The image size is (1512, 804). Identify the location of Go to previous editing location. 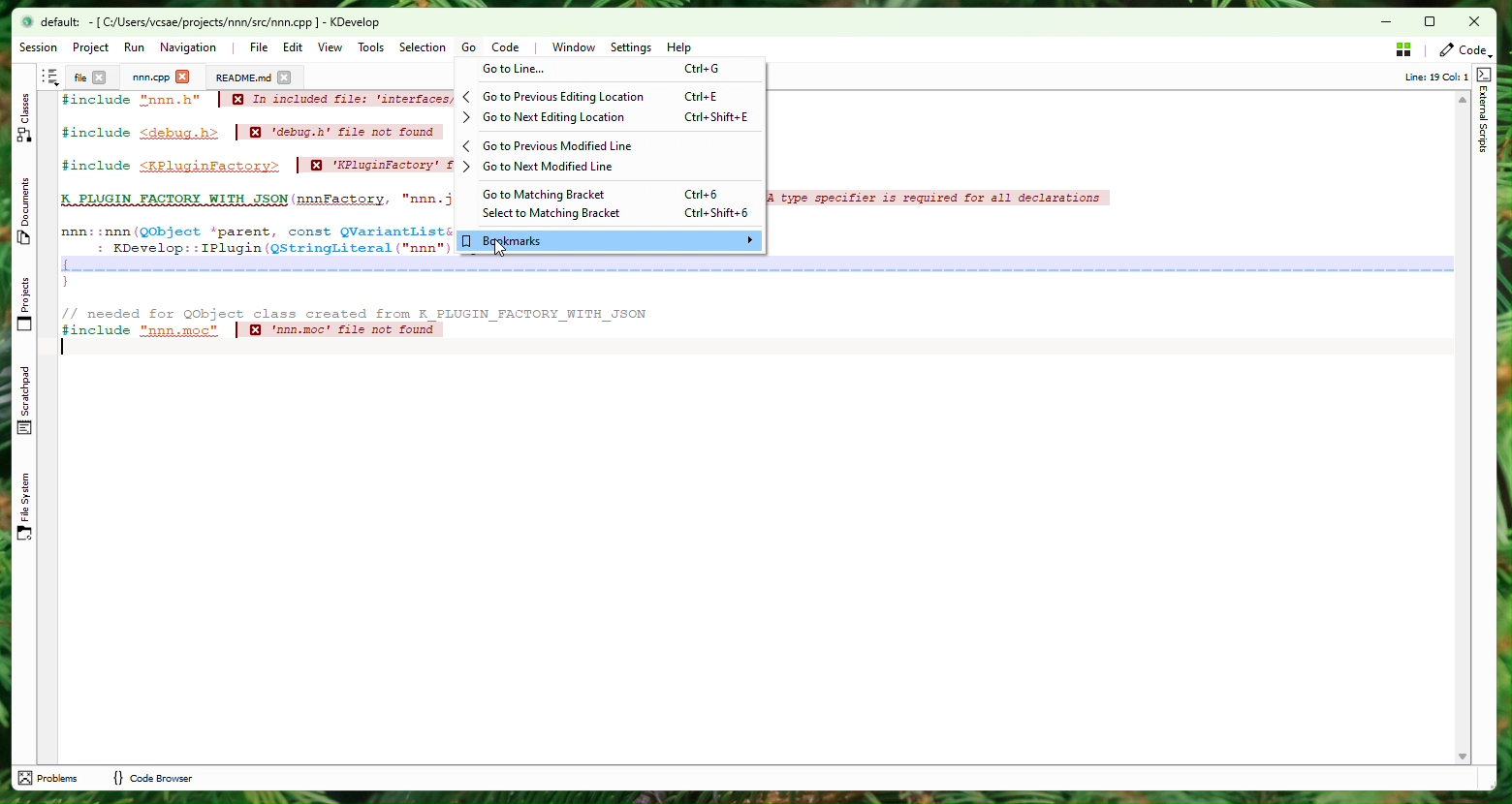
(608, 96).